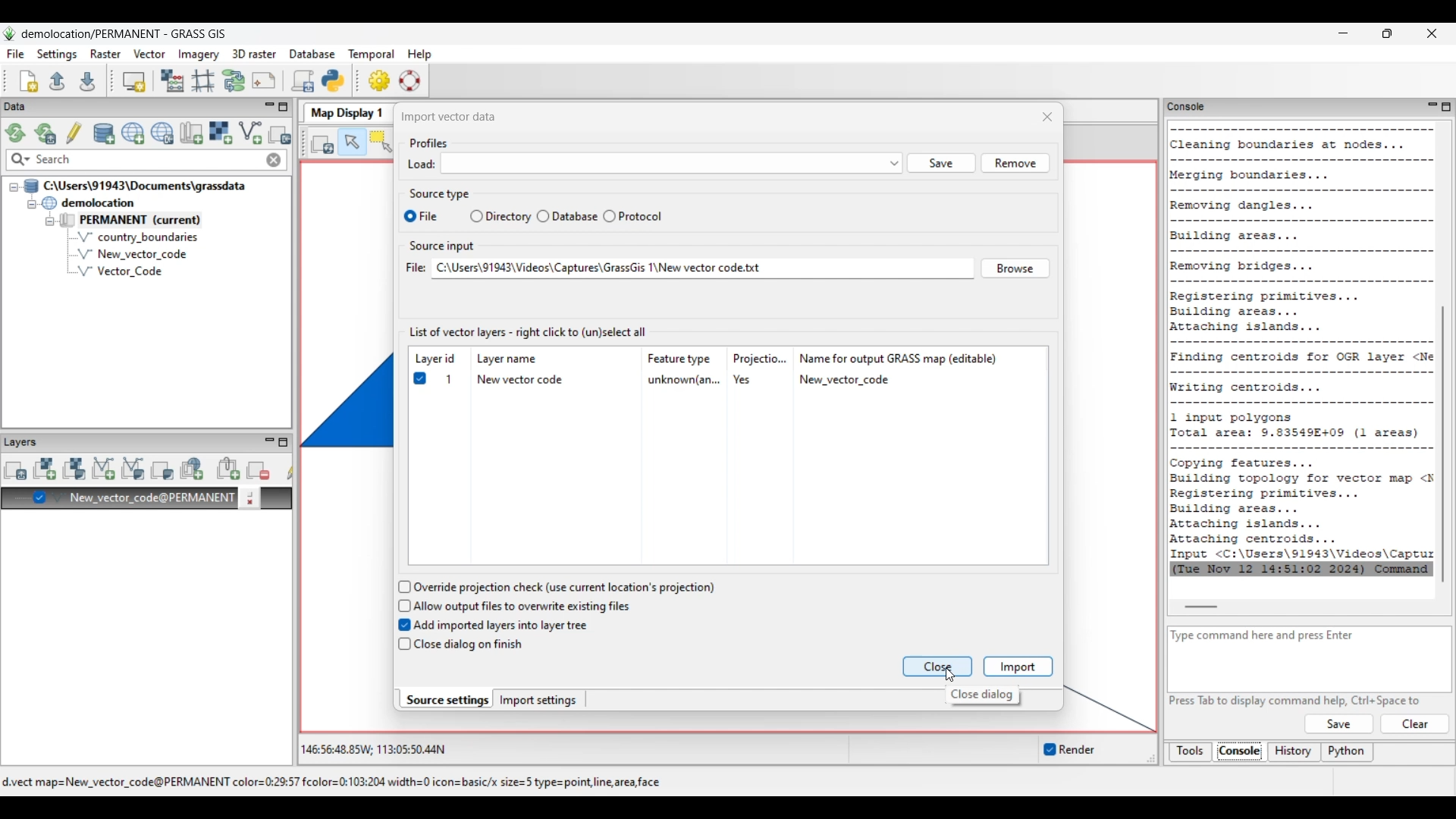 Image resolution: width=1456 pixels, height=819 pixels. Describe the element at coordinates (1191, 752) in the screenshot. I see `Tools, current selection` at that location.